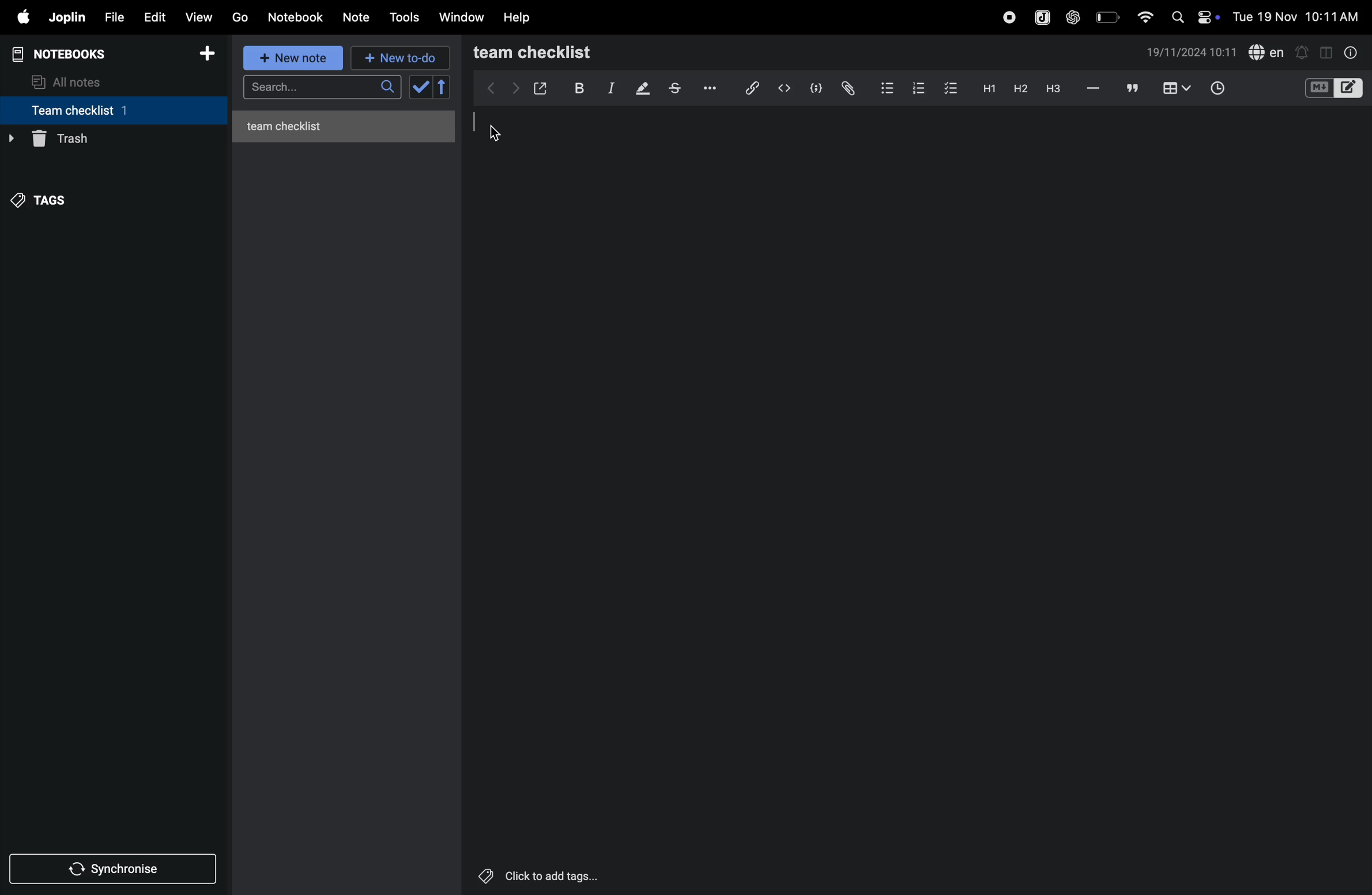  I want to click on checklist, so click(952, 89).